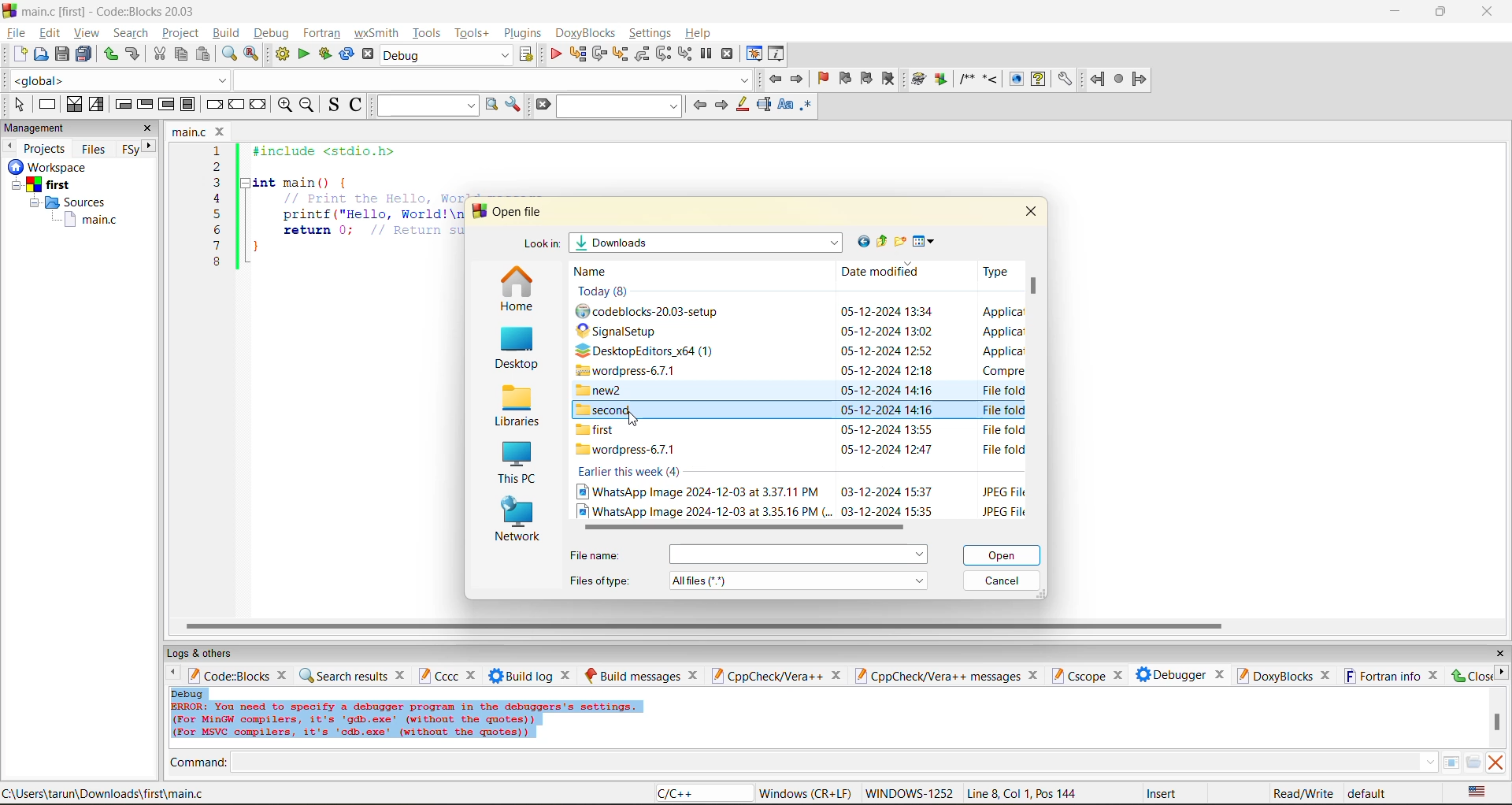 Image resolution: width=1512 pixels, height=805 pixels. What do you see at coordinates (699, 105) in the screenshot?
I see `previous` at bounding box center [699, 105].